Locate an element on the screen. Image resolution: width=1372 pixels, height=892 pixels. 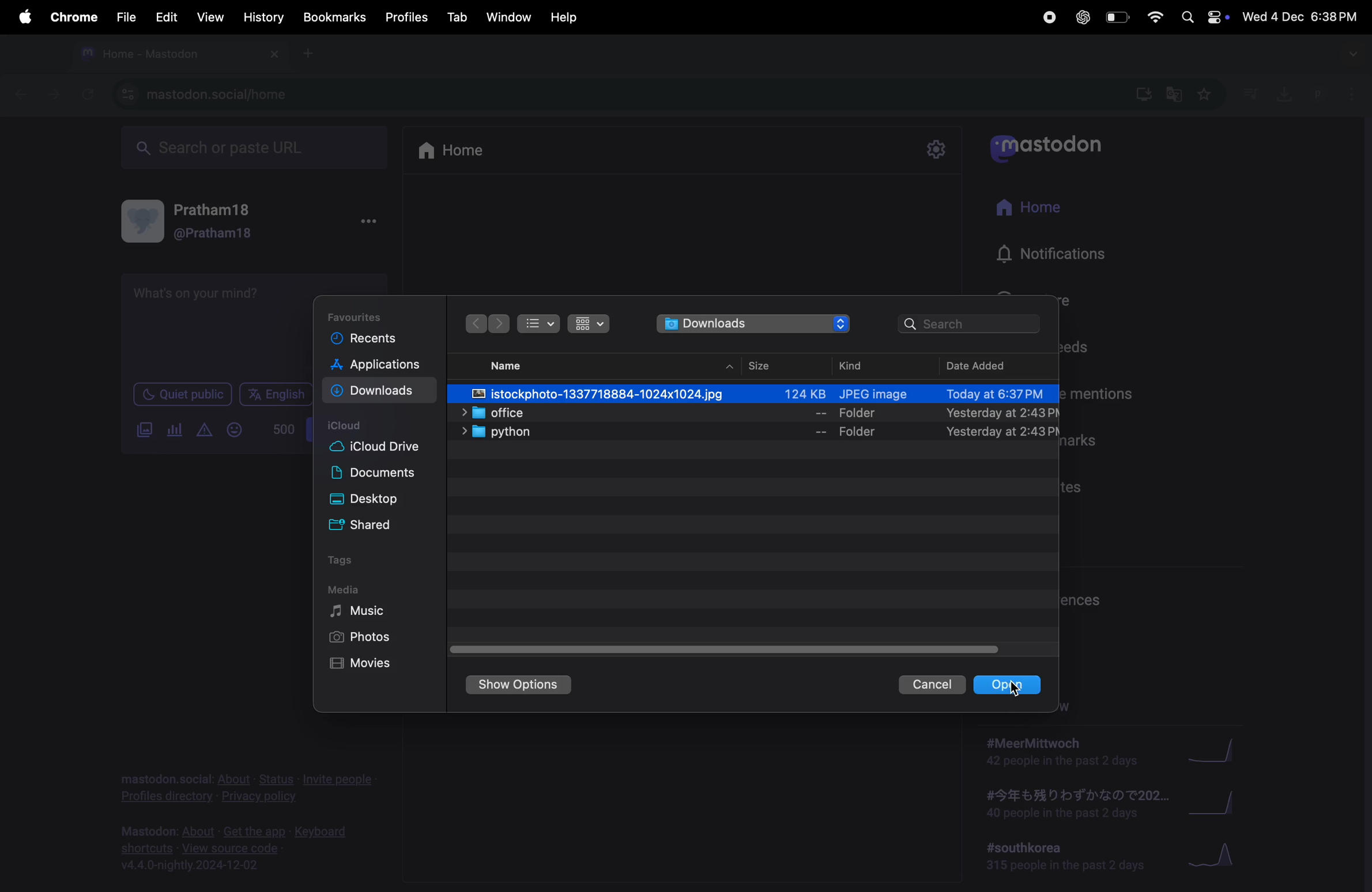
battery is located at coordinates (1118, 17).